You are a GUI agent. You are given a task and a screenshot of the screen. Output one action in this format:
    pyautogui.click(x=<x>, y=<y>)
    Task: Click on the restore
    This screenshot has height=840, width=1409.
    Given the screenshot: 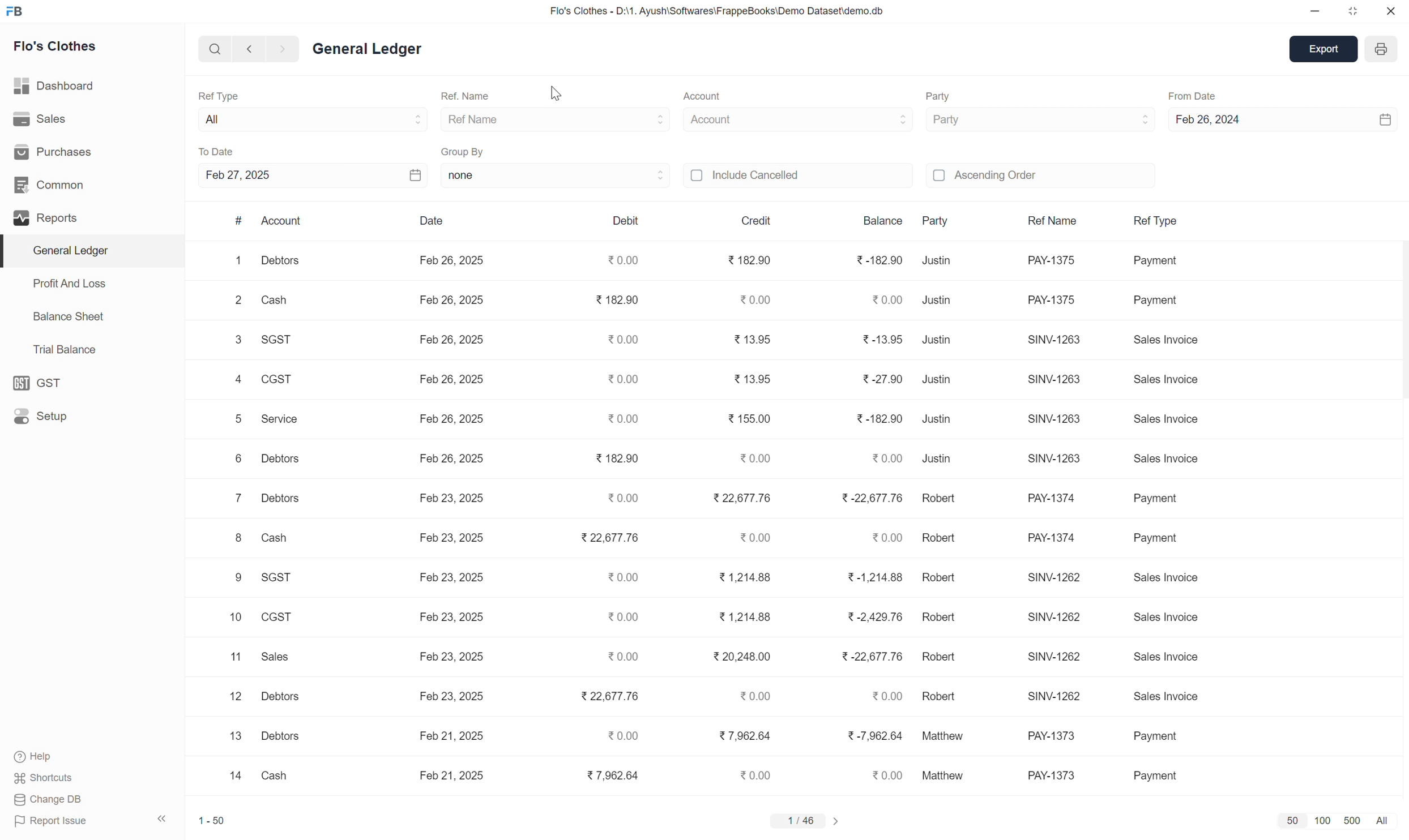 What is the action you would take?
    pyautogui.click(x=1355, y=13)
    